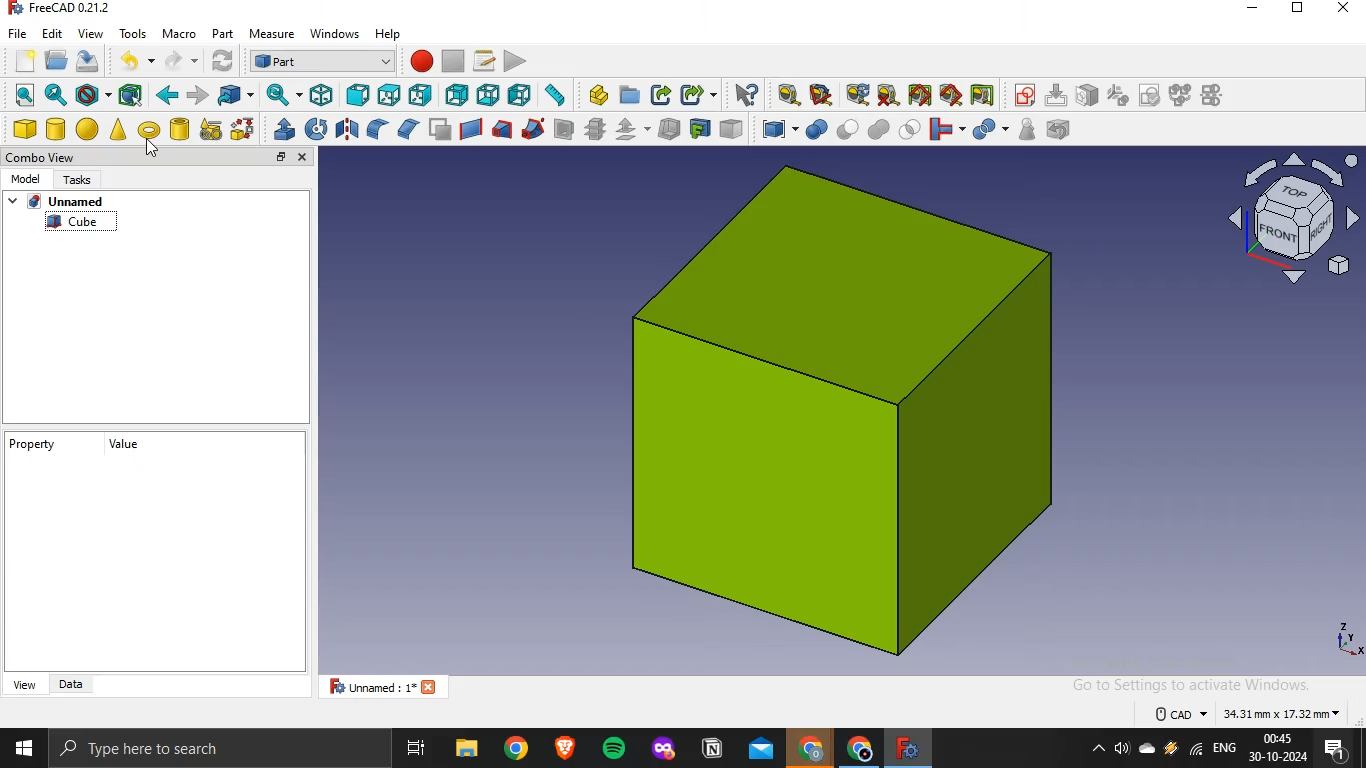 The height and width of the screenshot is (768, 1366). I want to click on make face from wires, so click(440, 128).